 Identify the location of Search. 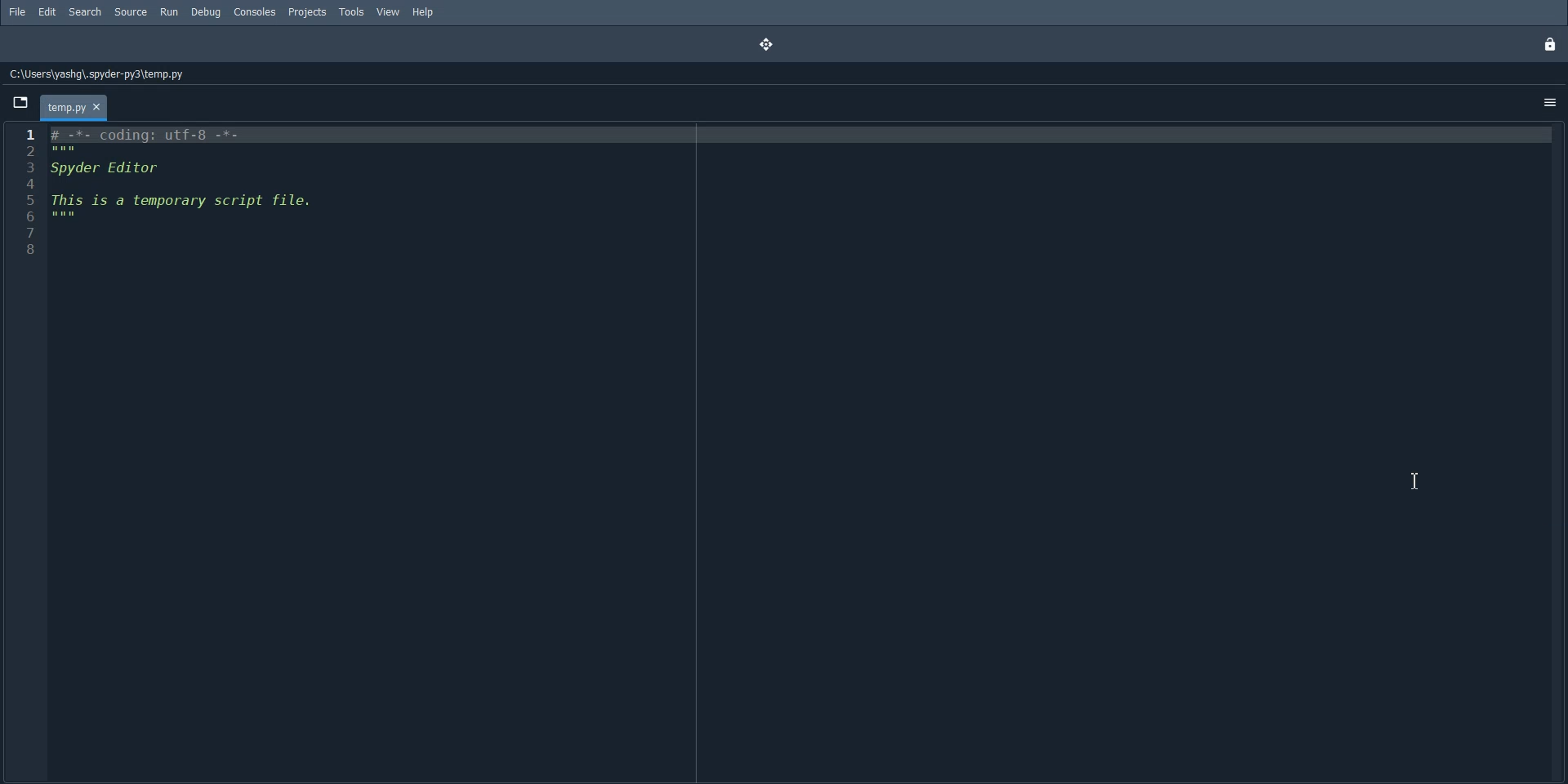
(85, 11).